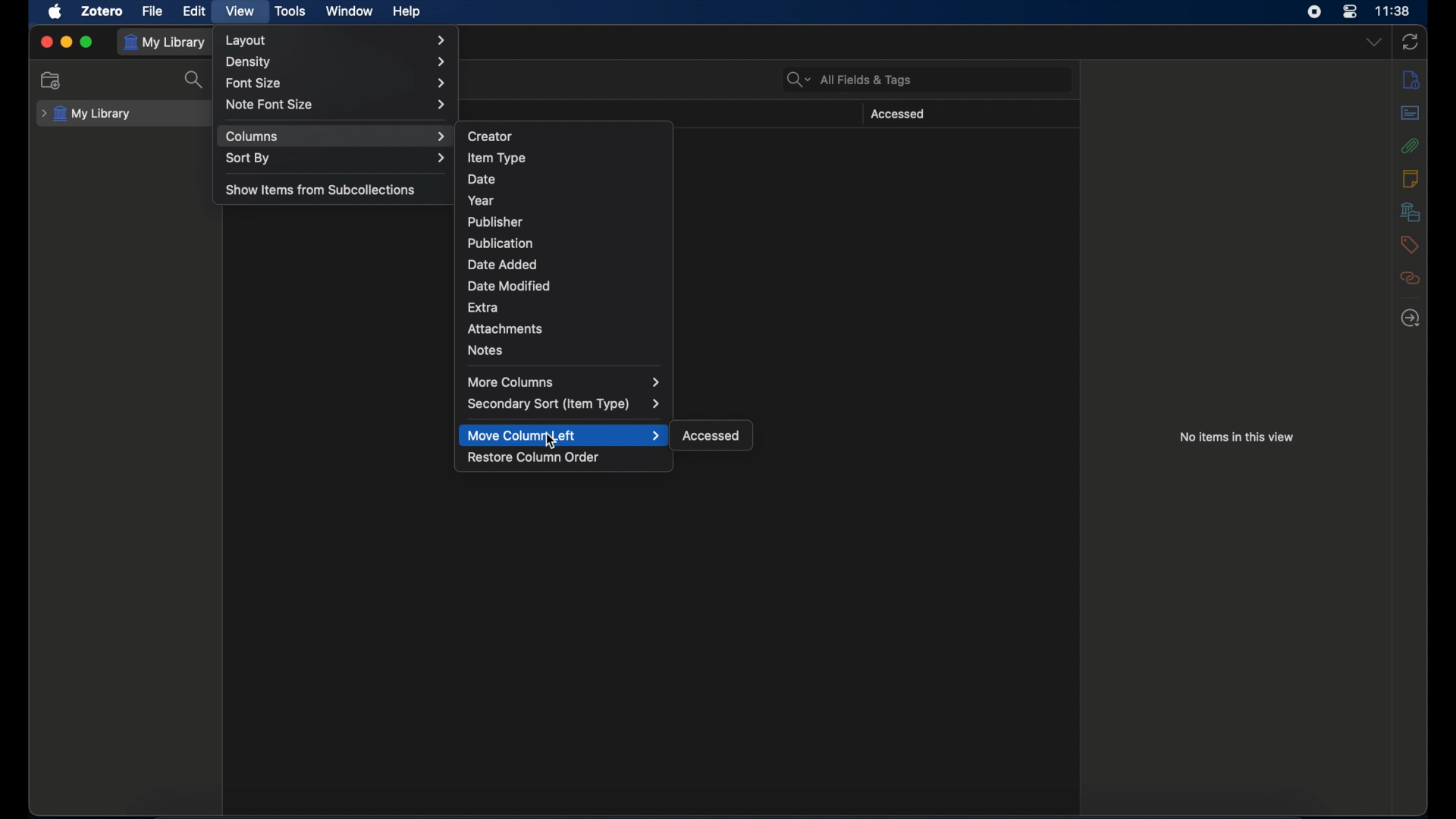  Describe the element at coordinates (1410, 211) in the screenshot. I see `libraries` at that location.